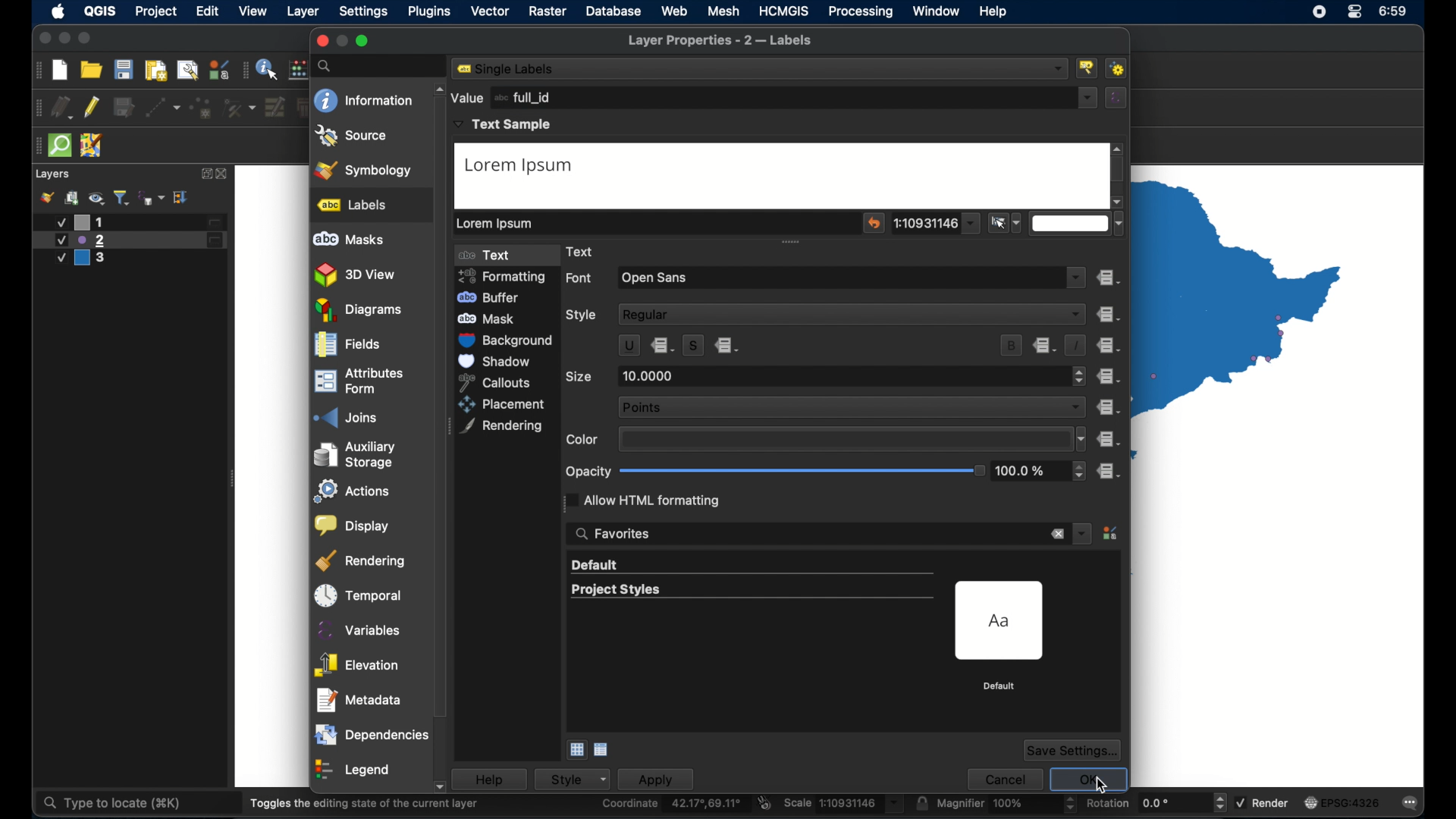  I want to click on 10.0000, so click(651, 376).